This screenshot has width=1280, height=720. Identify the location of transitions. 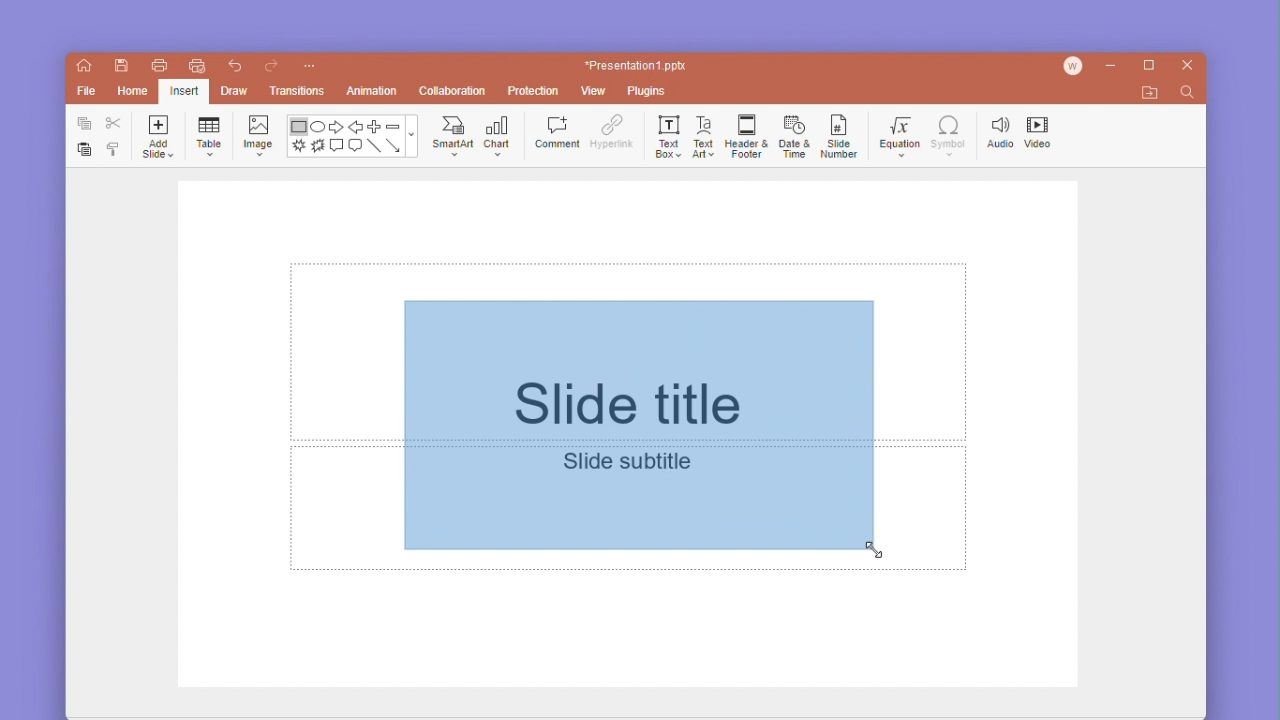
(296, 90).